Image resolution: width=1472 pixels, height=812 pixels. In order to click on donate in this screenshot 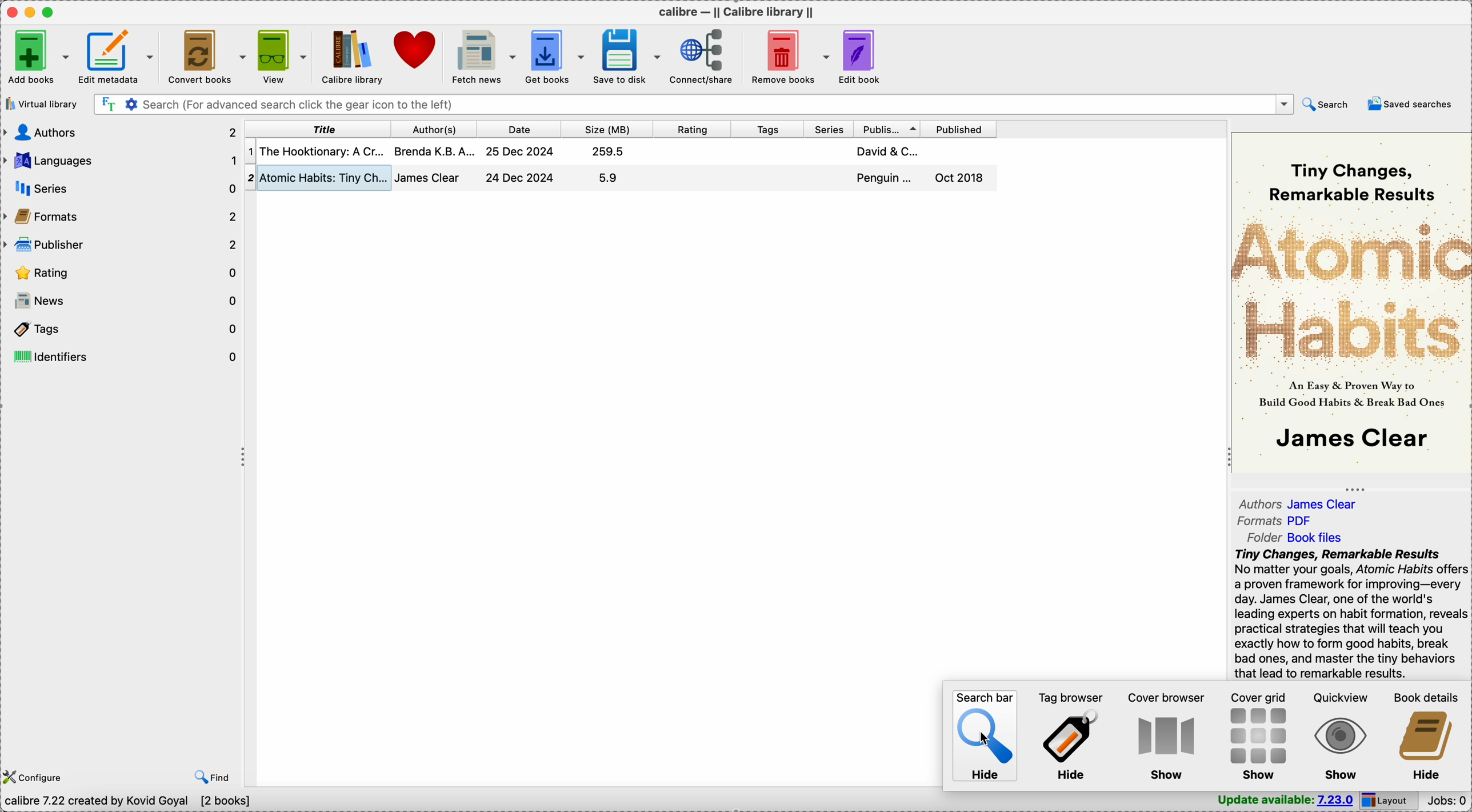, I will do `click(418, 49)`.